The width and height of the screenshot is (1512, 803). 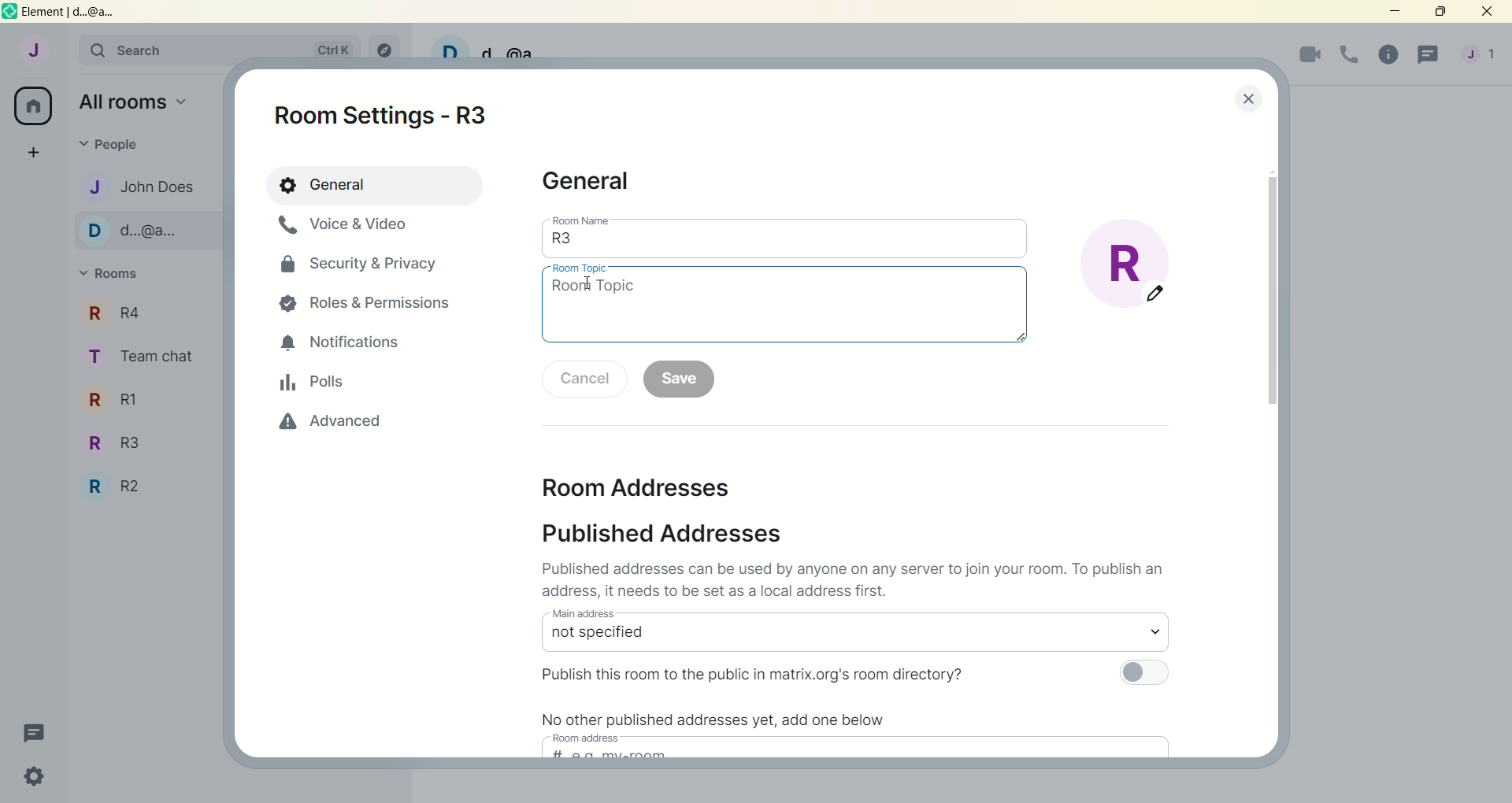 I want to click on room name, so click(x=783, y=246).